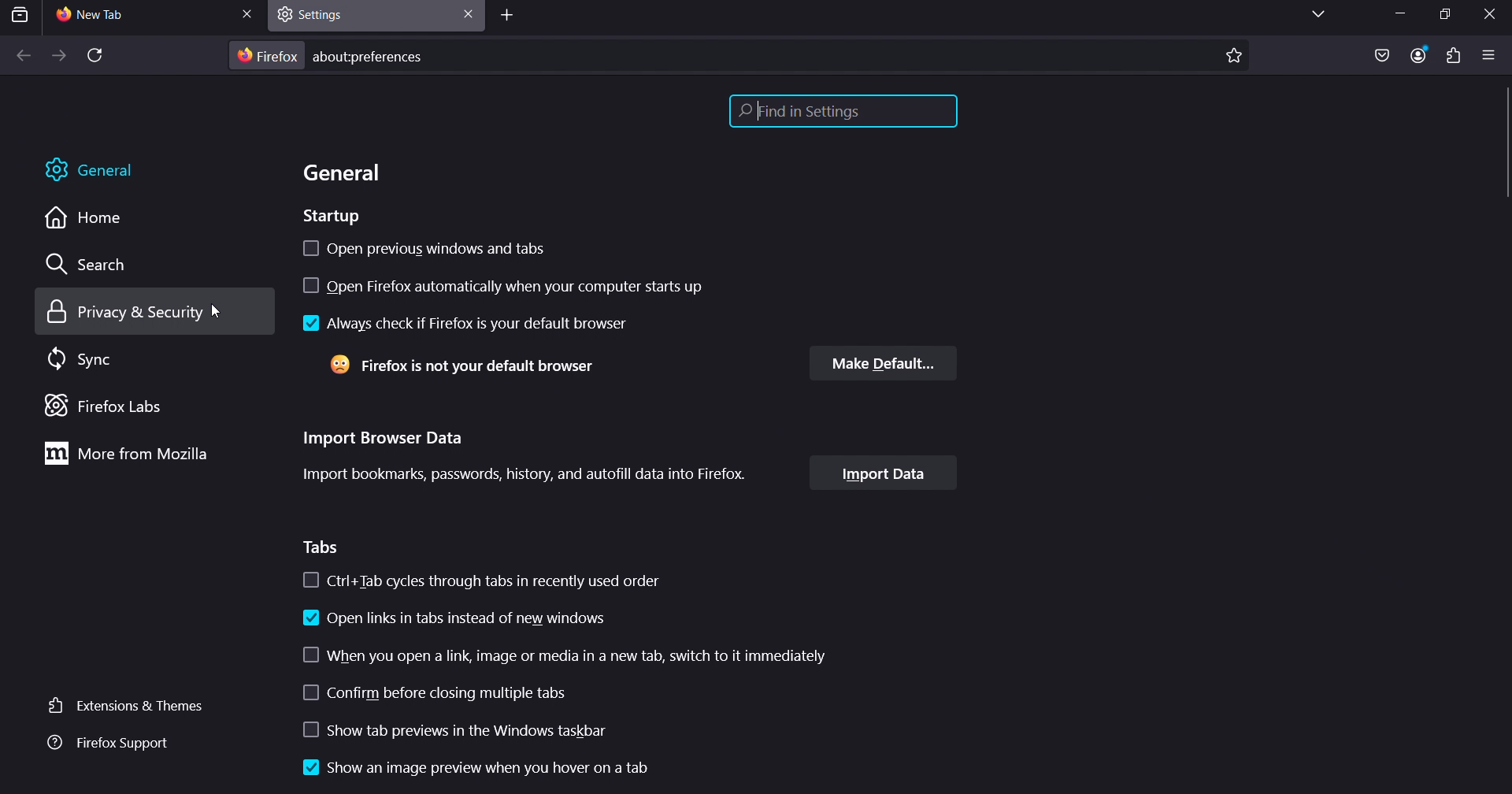 Image resolution: width=1512 pixels, height=794 pixels. Describe the element at coordinates (521, 453) in the screenshot. I see `Import Browser Data
Import bookmarks, passwords, history, and autofill data into Firefox.` at that location.